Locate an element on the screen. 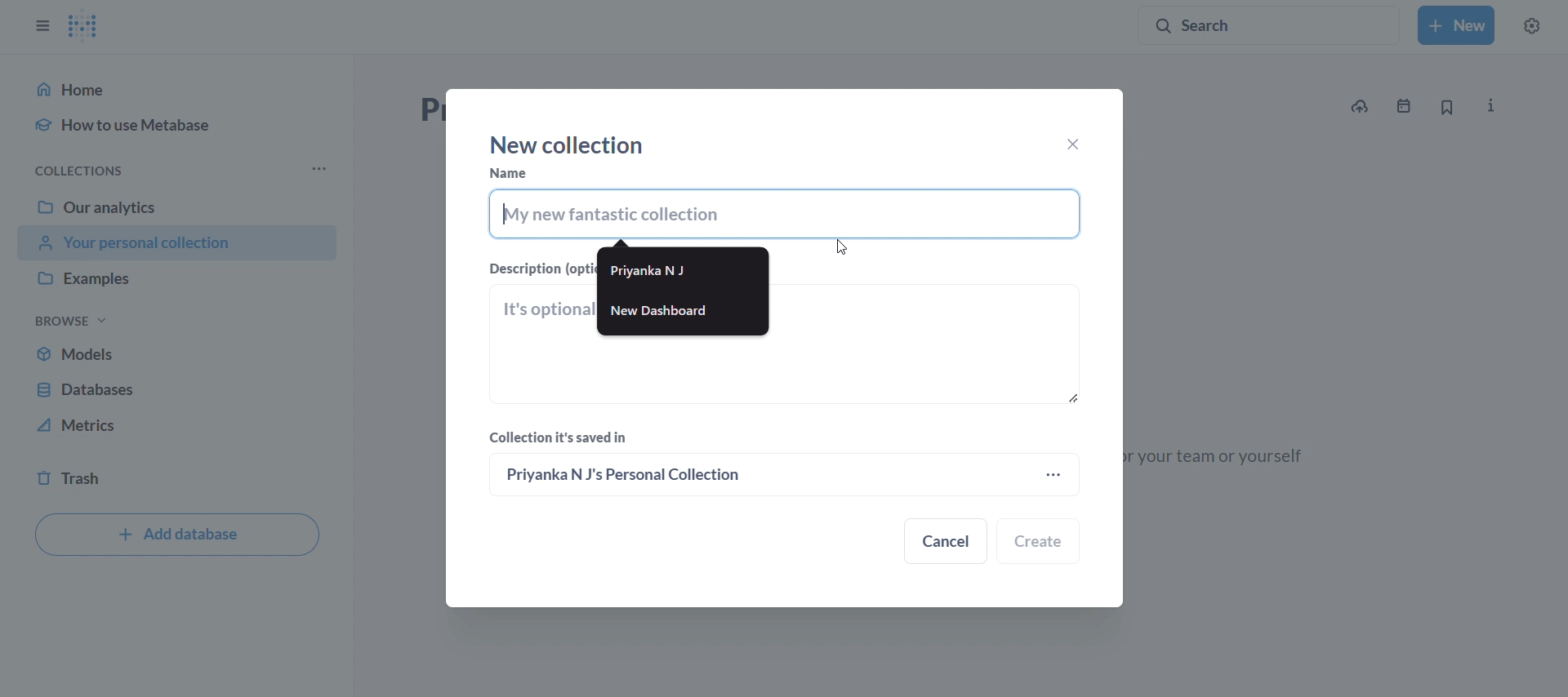 Image resolution: width=1568 pixels, height=697 pixels. more info is located at coordinates (1490, 107).